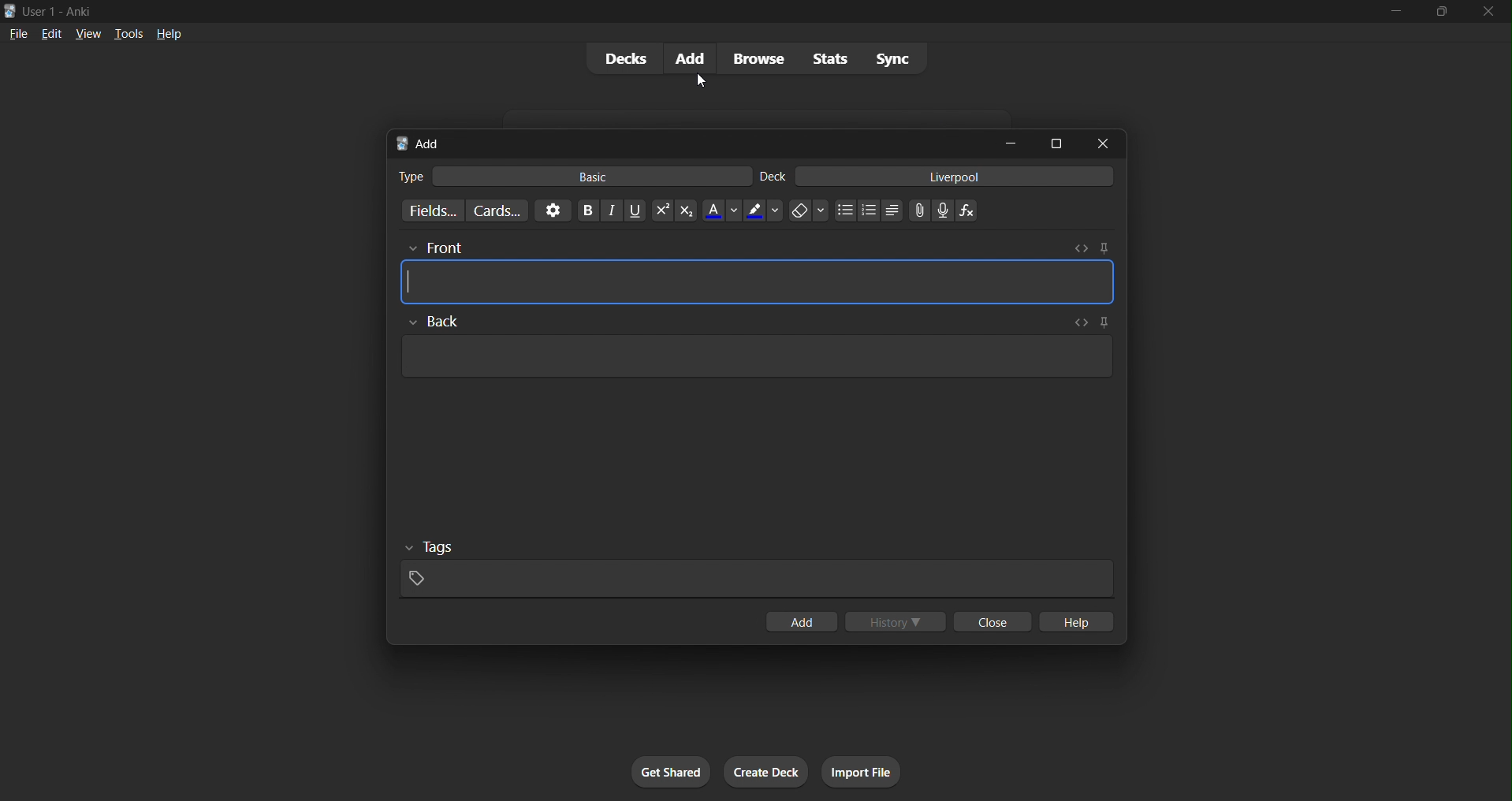 This screenshot has height=801, width=1512. I want to click on Cursor, so click(702, 80).